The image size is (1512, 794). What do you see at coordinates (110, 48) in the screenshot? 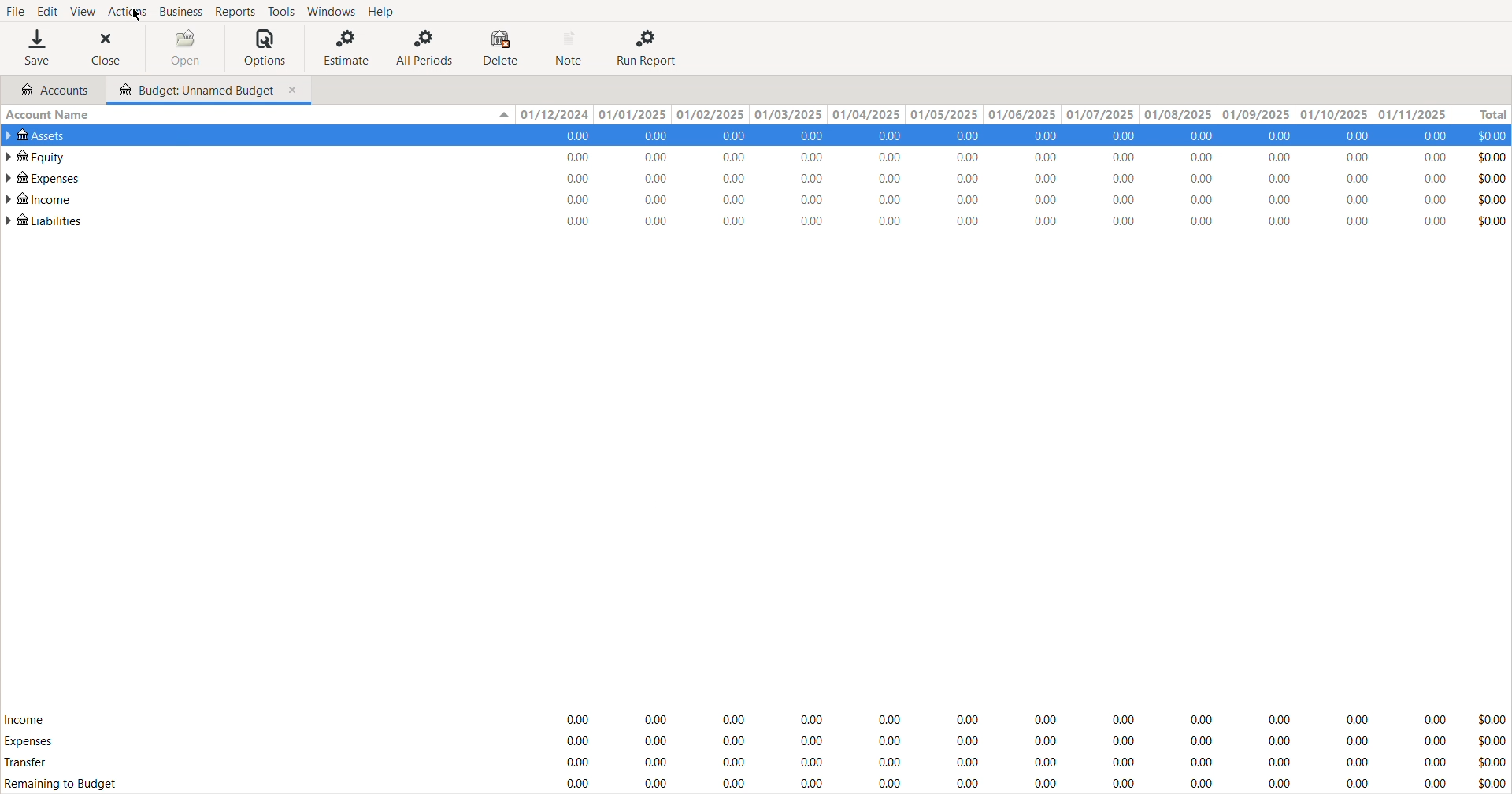
I see `Close` at bounding box center [110, 48].